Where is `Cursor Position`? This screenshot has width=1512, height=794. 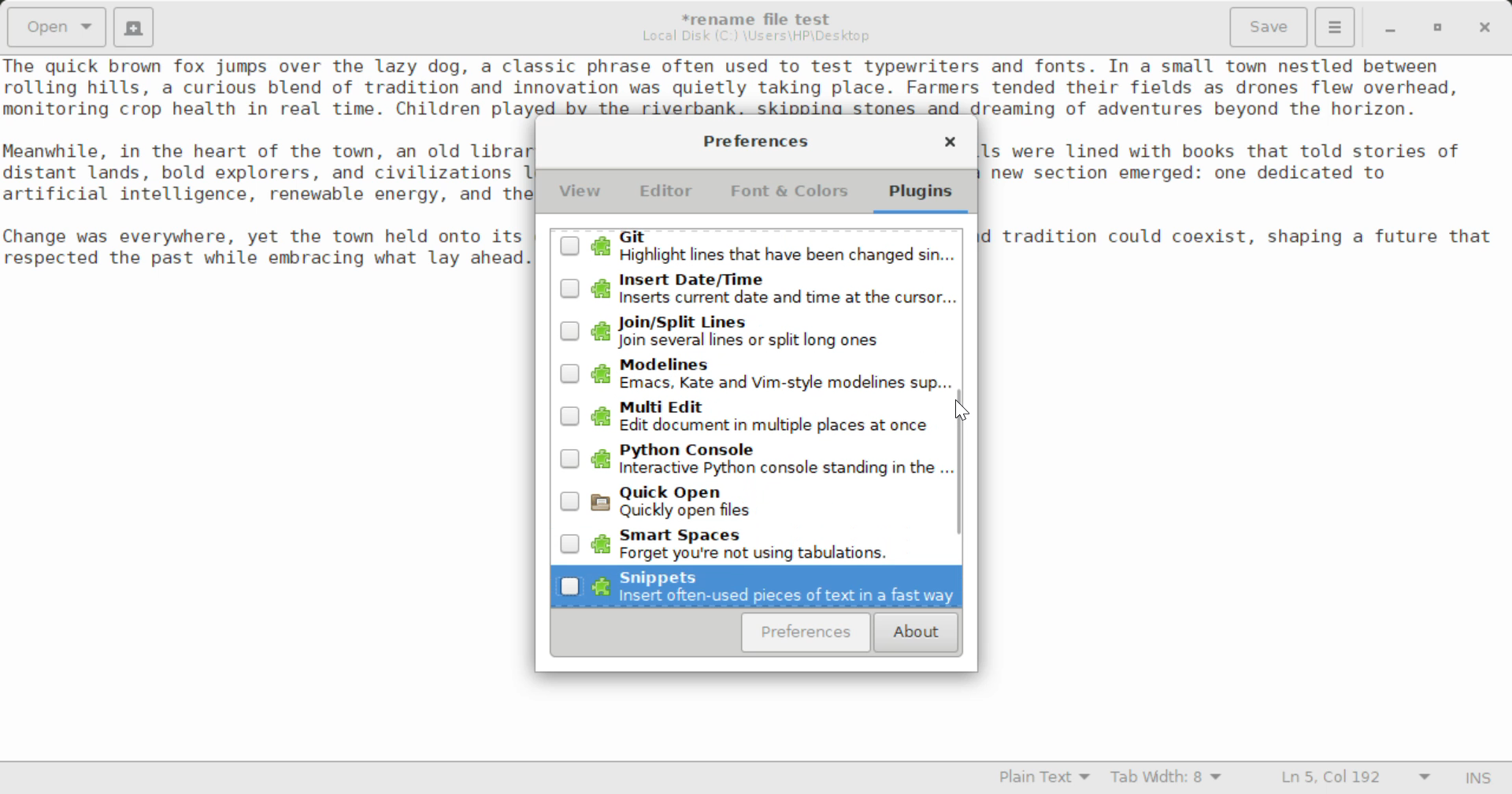 Cursor Position is located at coordinates (962, 412).